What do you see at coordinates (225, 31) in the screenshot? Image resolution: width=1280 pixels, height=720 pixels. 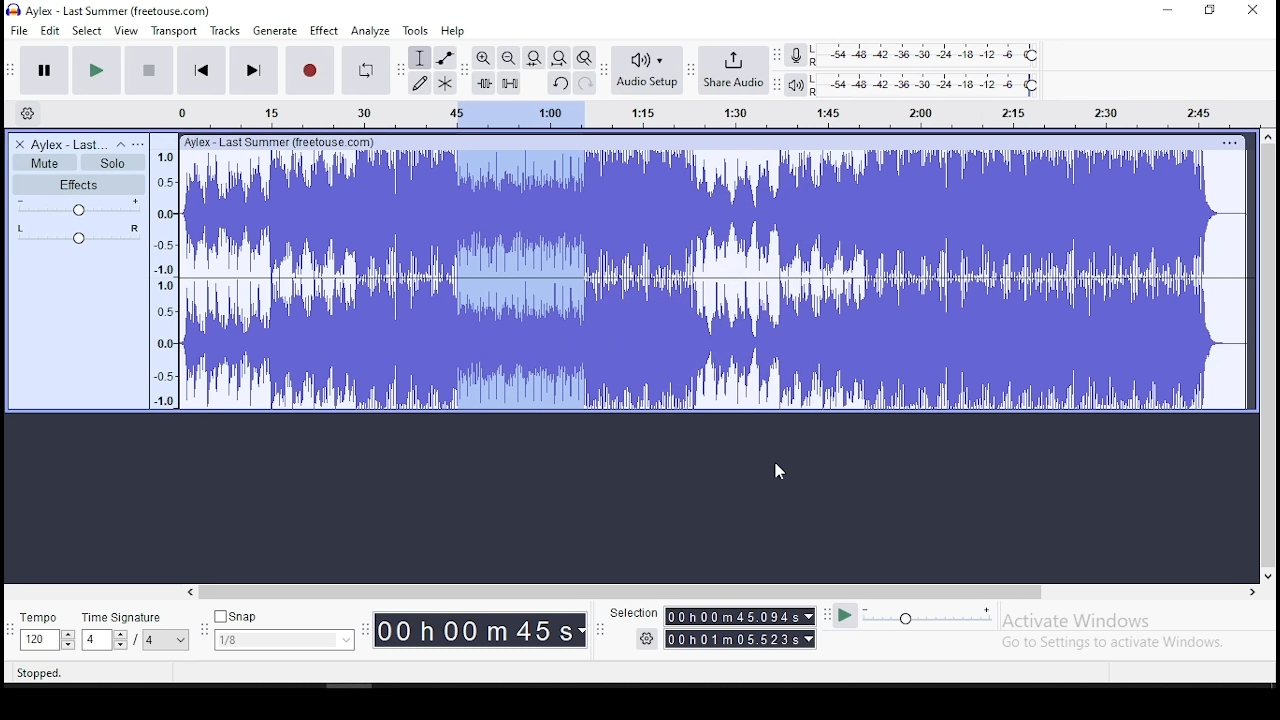 I see `tracks` at bounding box center [225, 31].